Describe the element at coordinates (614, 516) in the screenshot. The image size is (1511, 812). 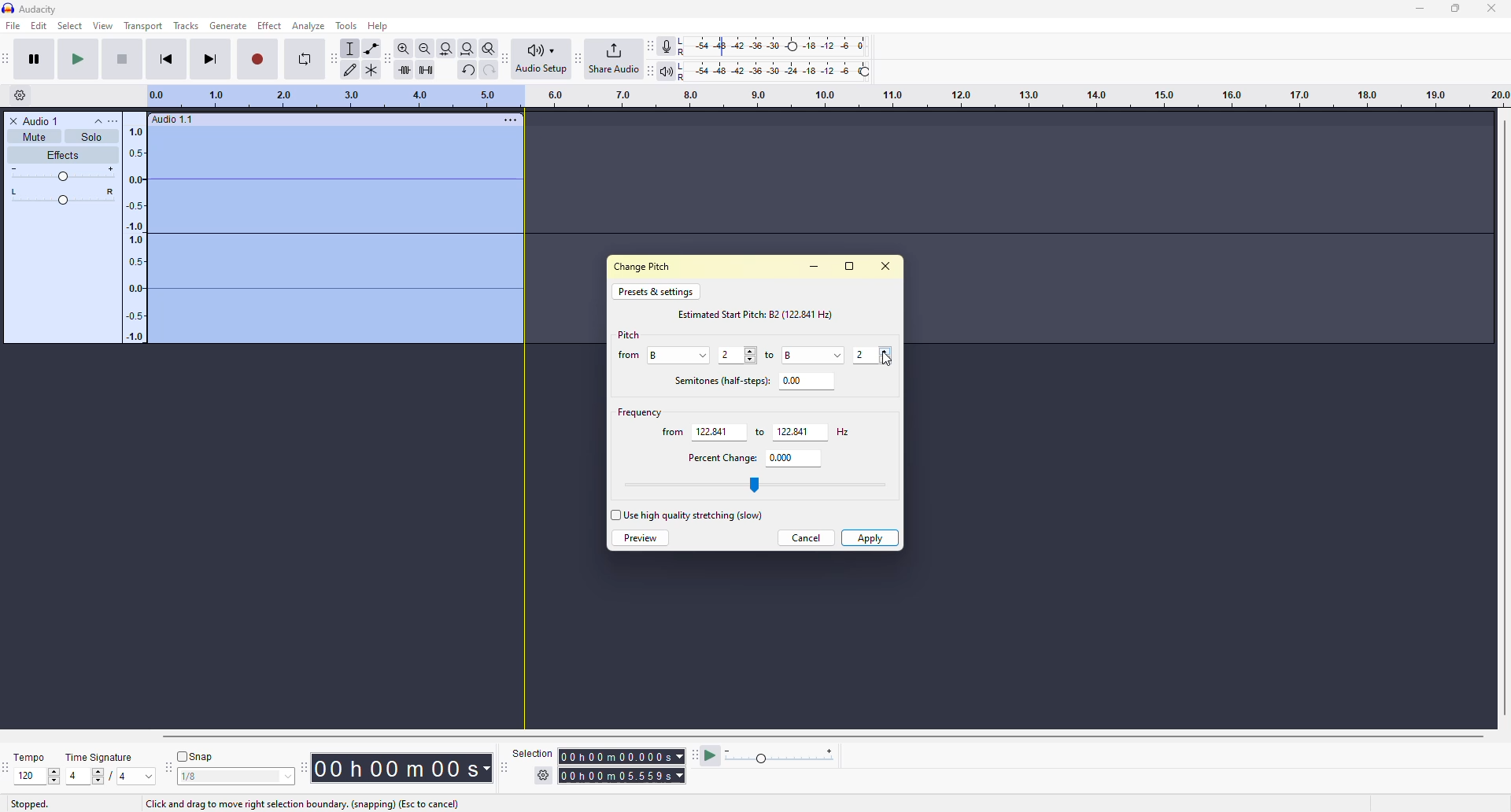
I see `select` at that location.